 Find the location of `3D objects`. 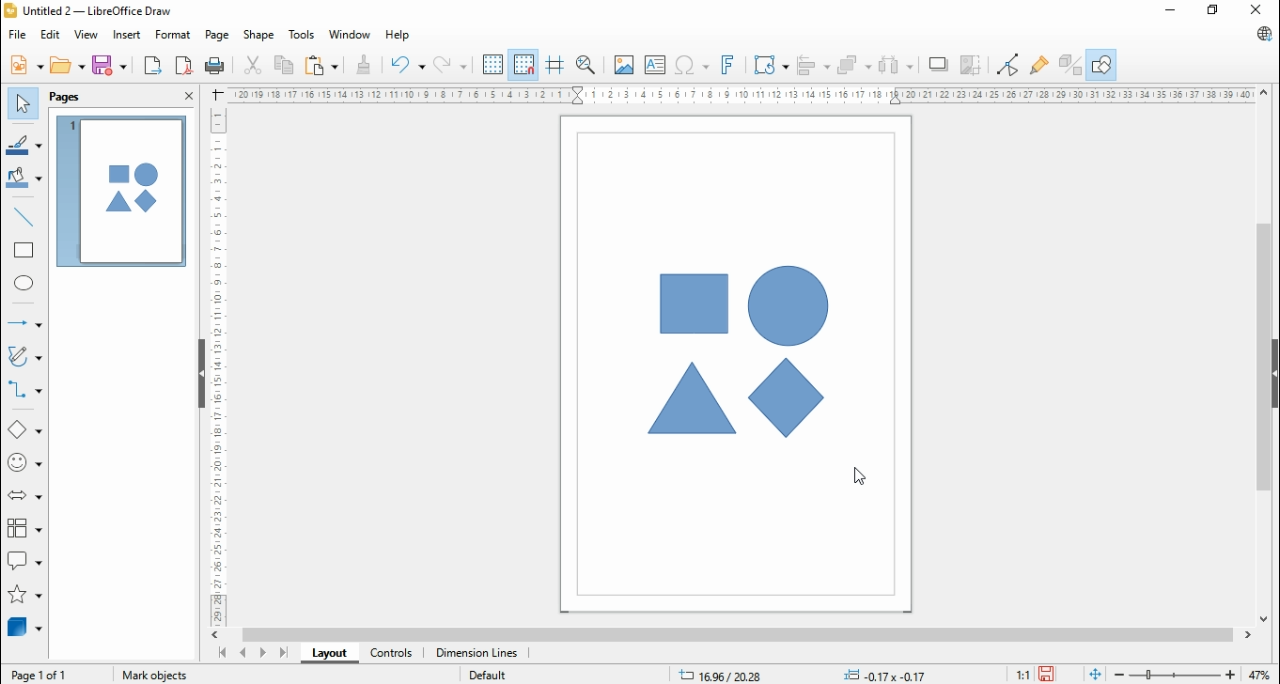

3D objects is located at coordinates (24, 626).